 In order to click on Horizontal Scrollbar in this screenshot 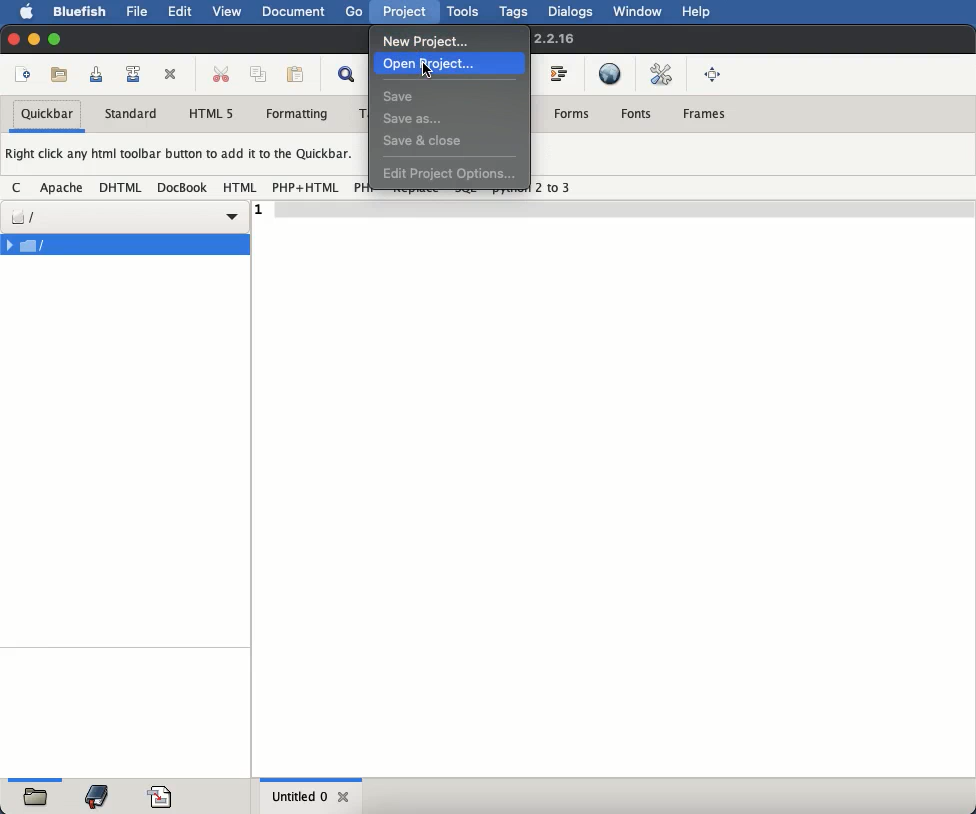, I will do `click(309, 779)`.